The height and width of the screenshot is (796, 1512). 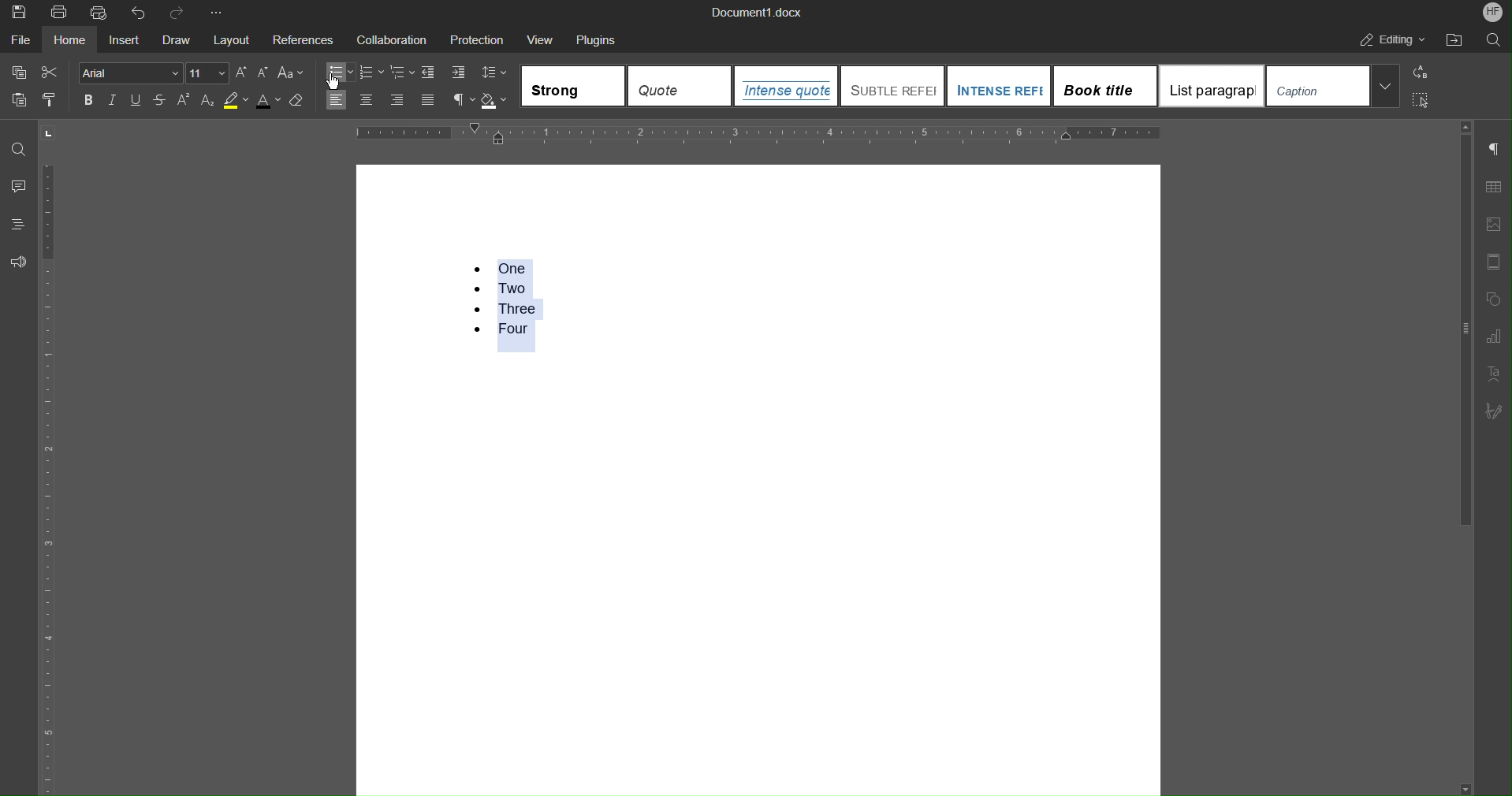 I want to click on Numbered List, so click(x=501, y=298).